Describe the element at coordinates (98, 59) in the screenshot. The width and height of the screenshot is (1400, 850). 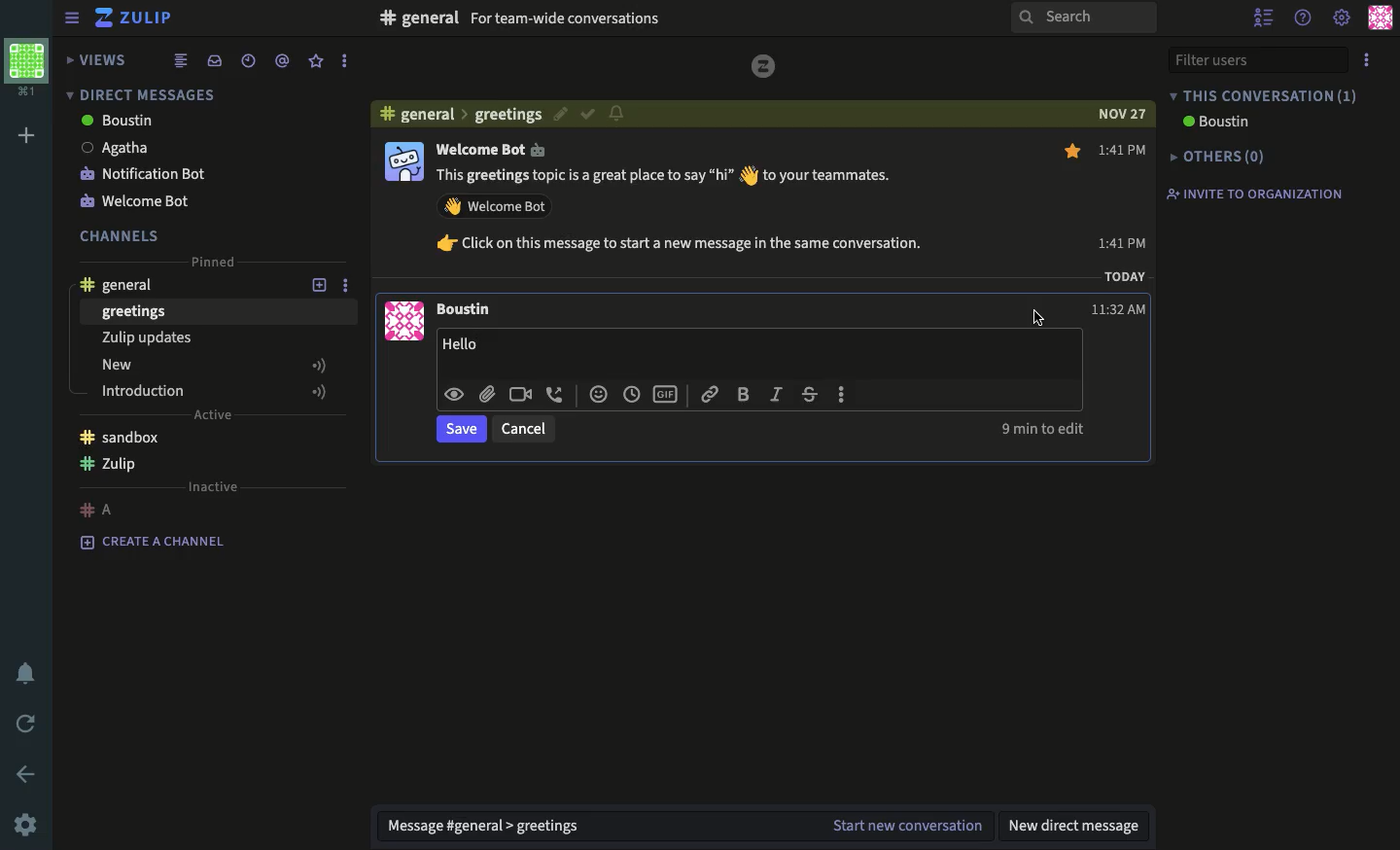
I see `views` at that location.